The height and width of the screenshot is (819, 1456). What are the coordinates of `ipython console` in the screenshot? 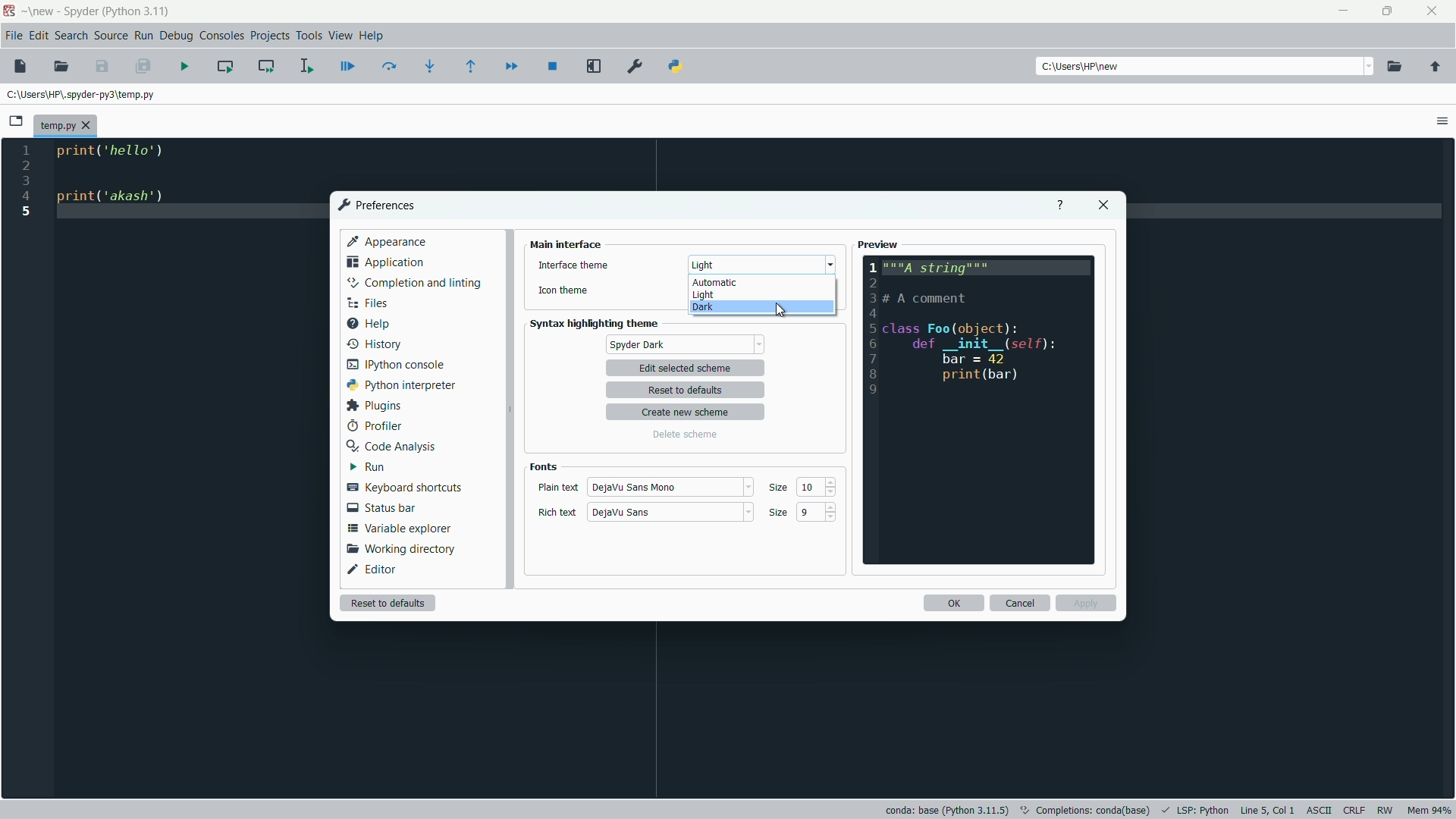 It's located at (396, 363).